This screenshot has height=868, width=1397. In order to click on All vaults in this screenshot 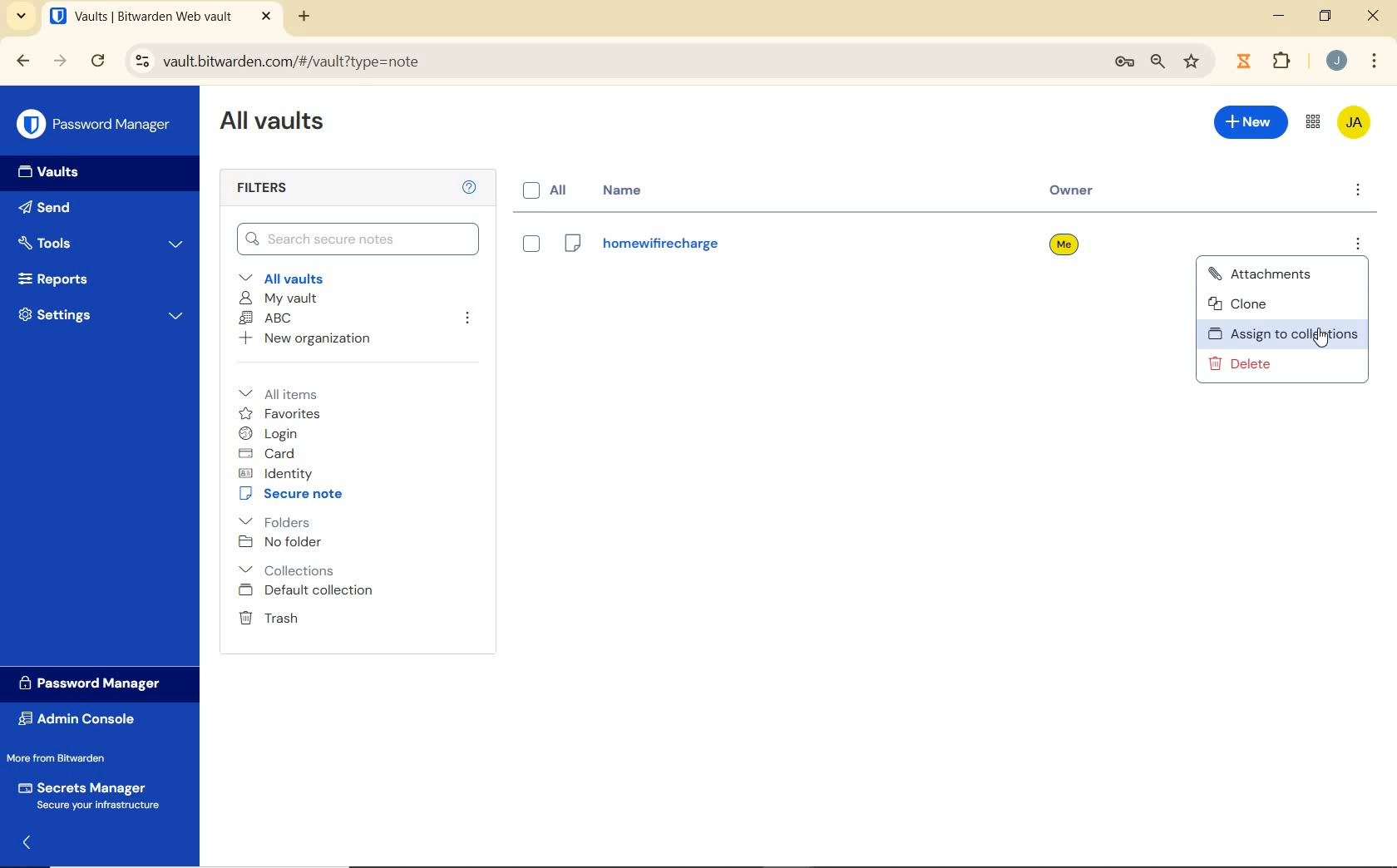, I will do `click(284, 277)`.